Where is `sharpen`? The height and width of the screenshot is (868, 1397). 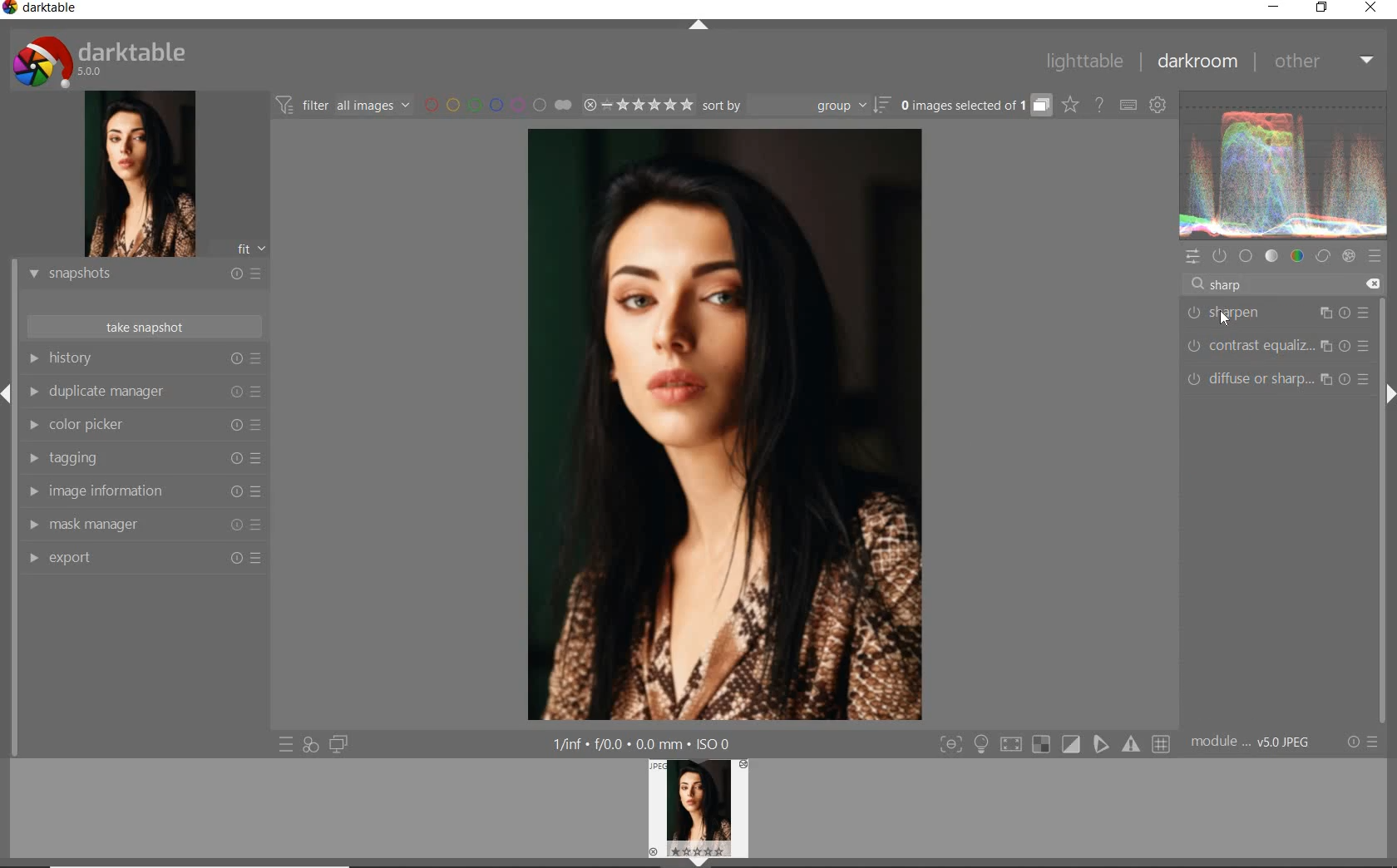 sharpen is located at coordinates (1277, 313).